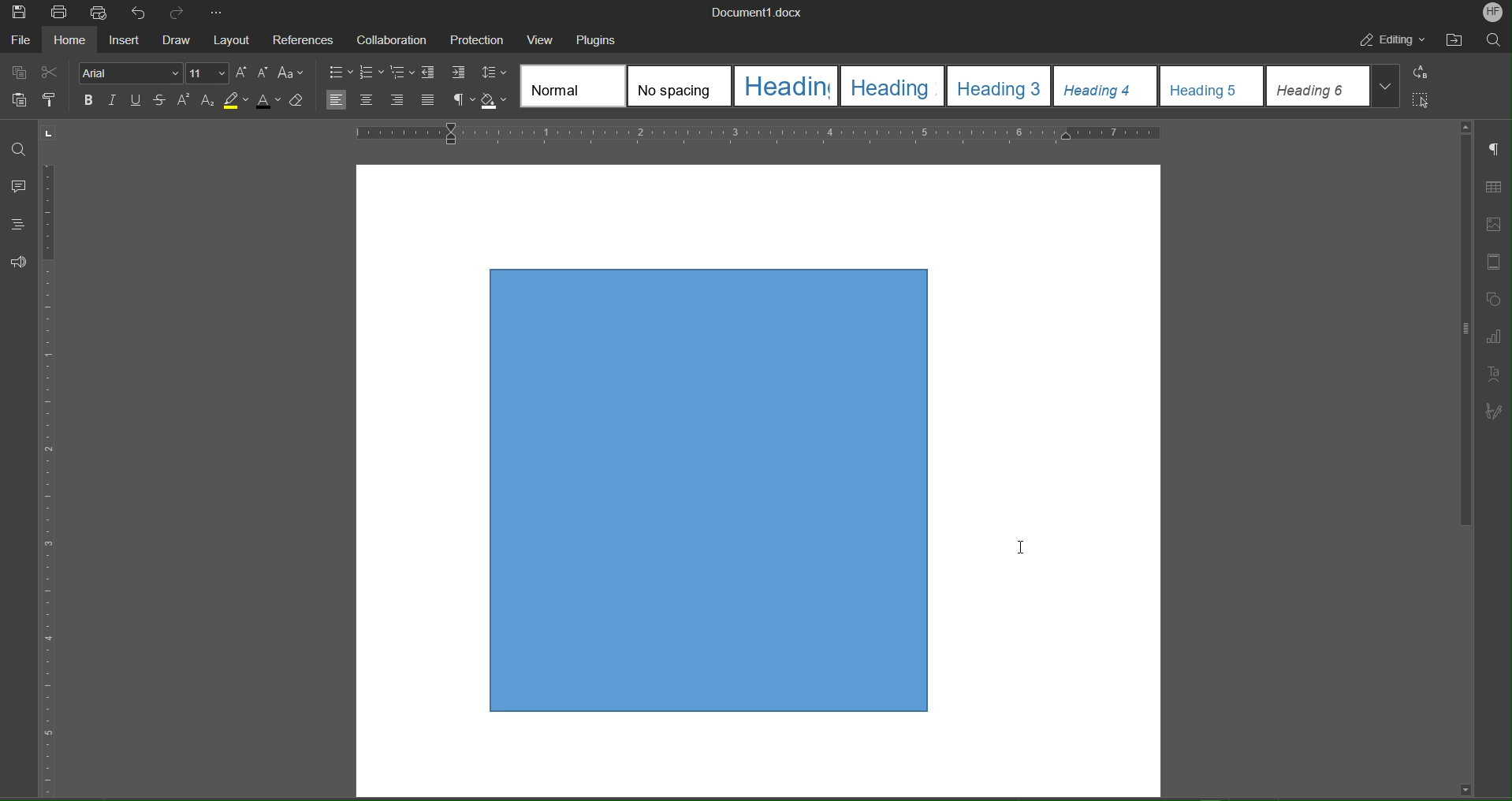 This screenshot has width=1512, height=801. I want to click on No spacing, so click(678, 85).